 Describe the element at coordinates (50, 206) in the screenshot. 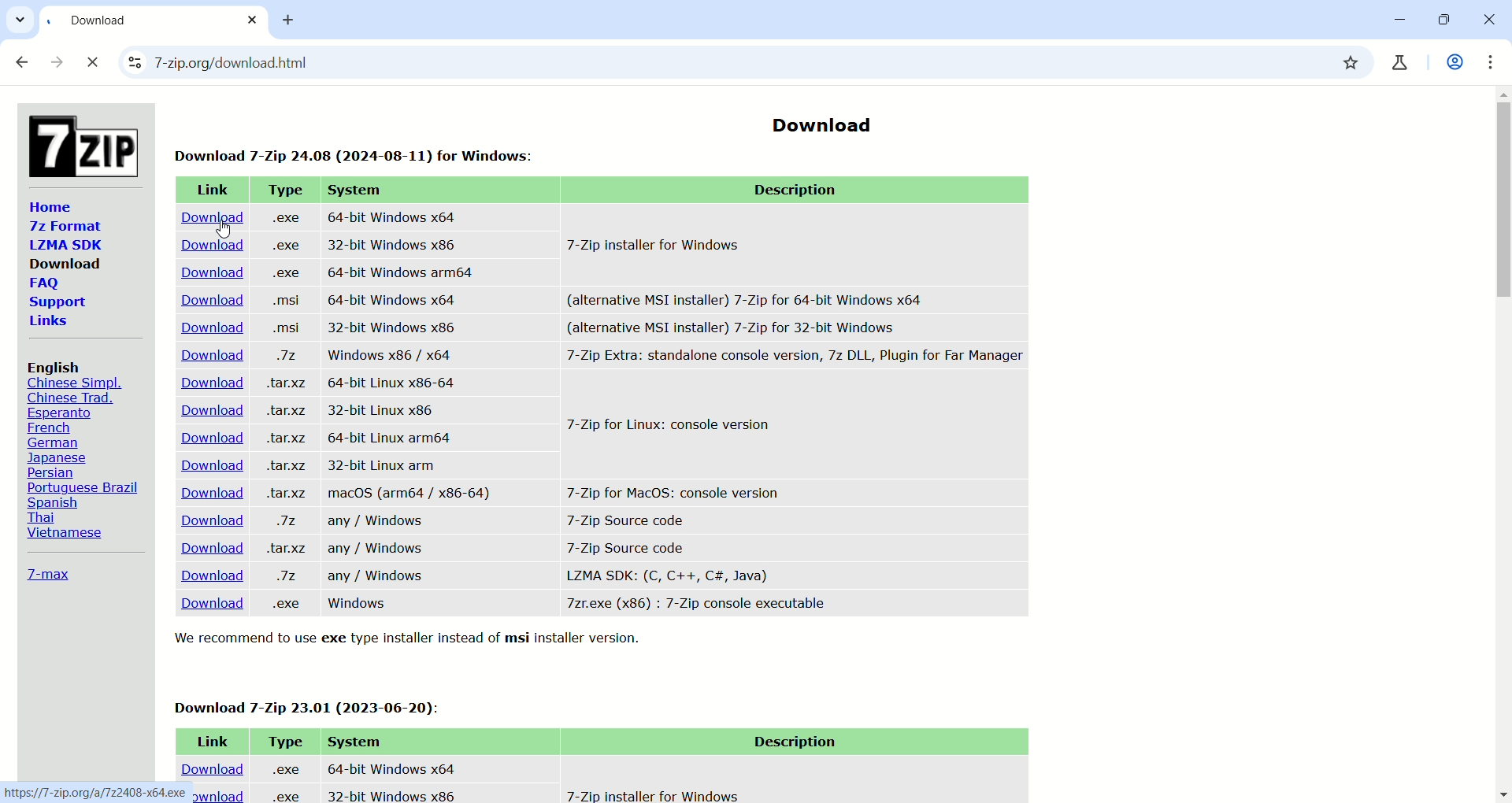

I see `Home` at that location.